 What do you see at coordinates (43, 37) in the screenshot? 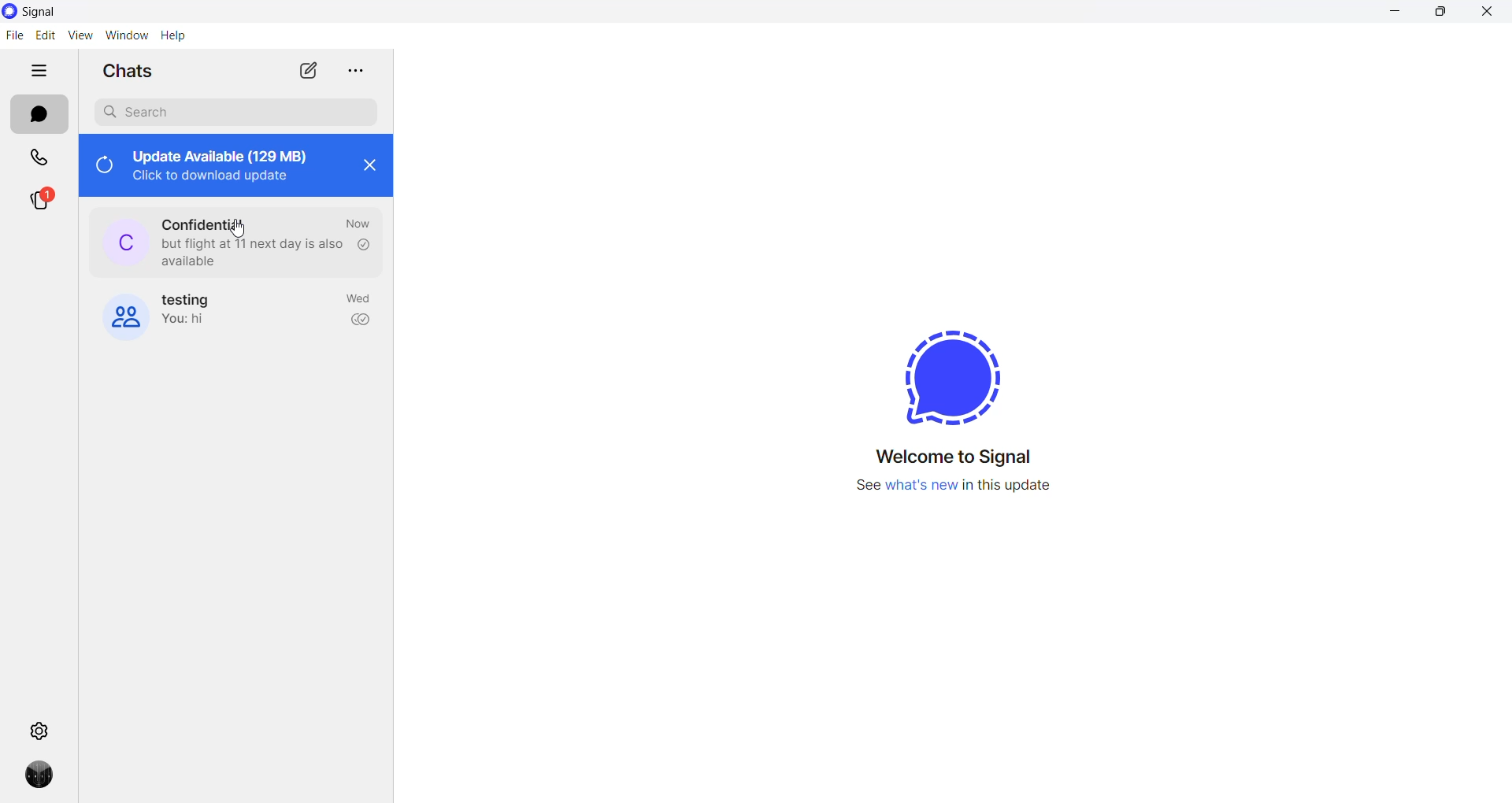
I see `edit` at bounding box center [43, 37].